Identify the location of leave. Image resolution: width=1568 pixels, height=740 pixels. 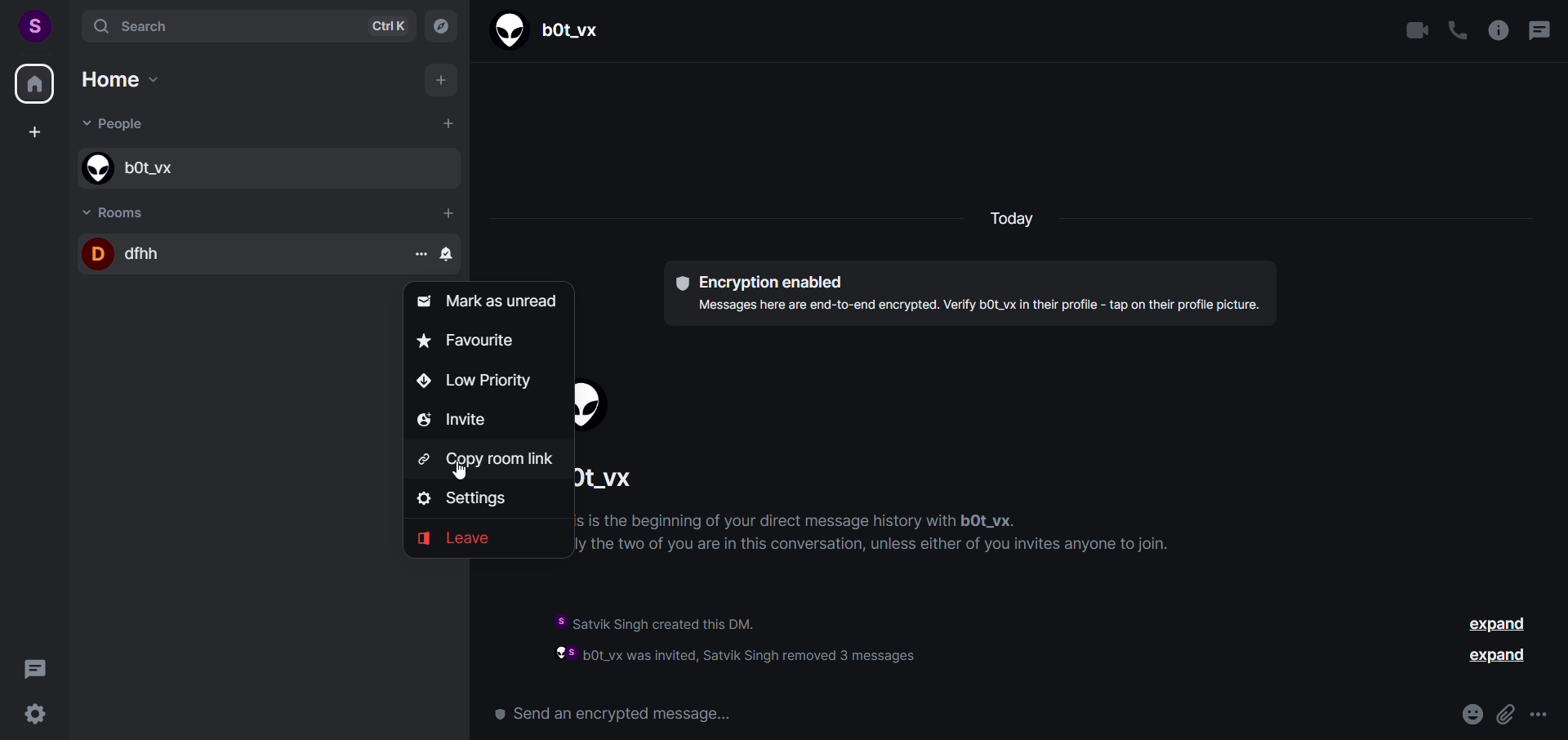
(457, 537).